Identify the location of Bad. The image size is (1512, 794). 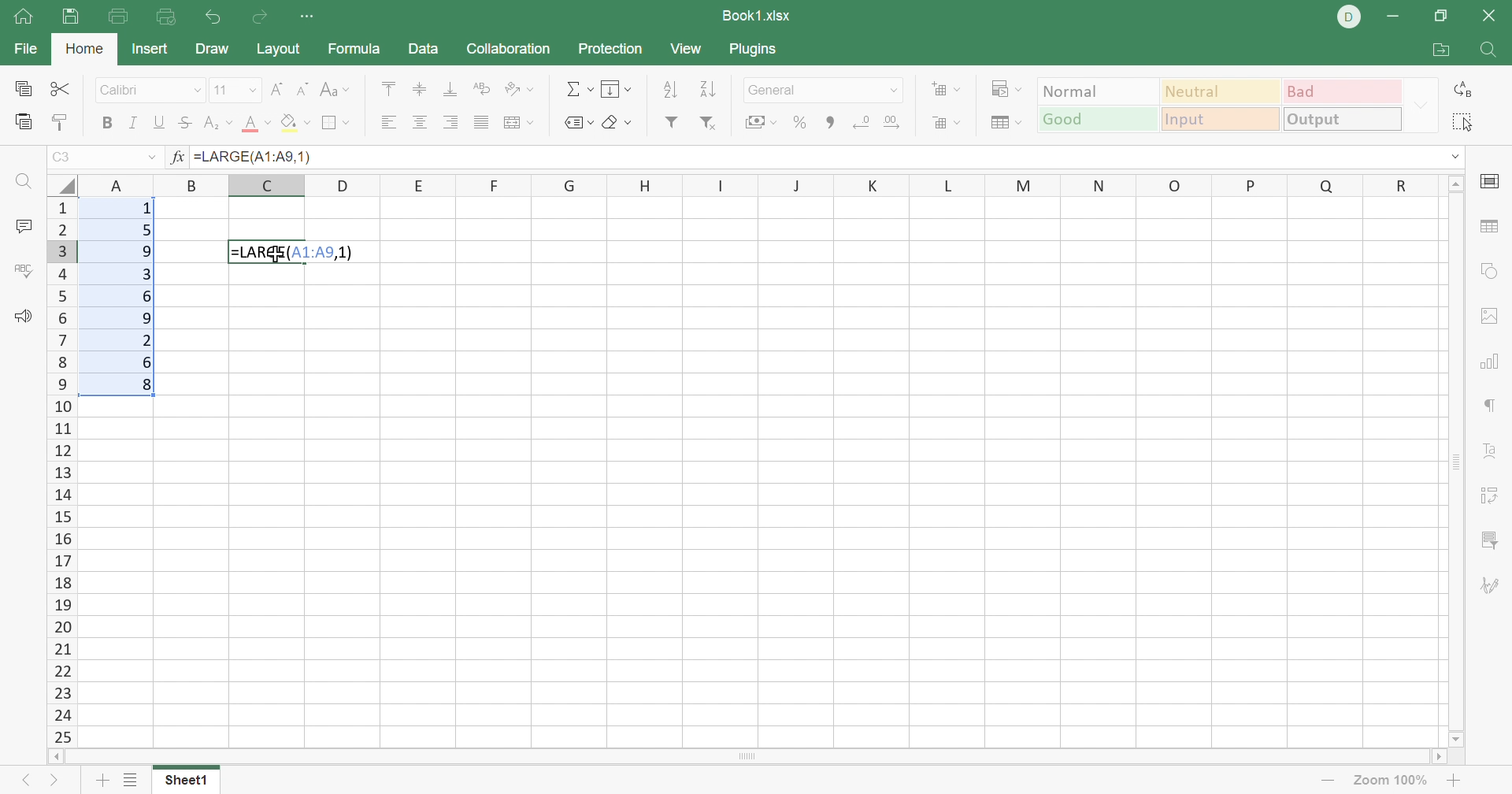
(1339, 91).